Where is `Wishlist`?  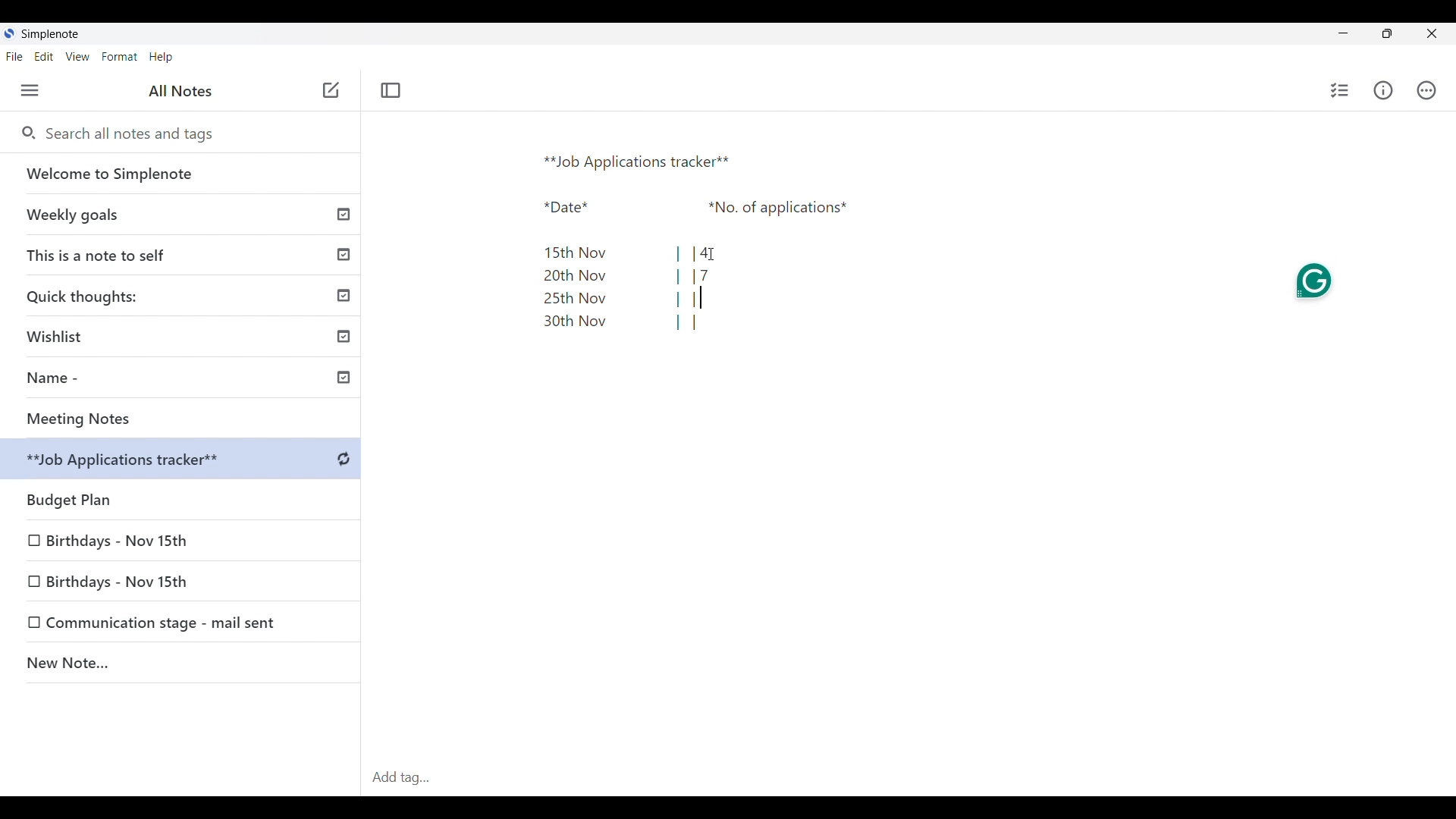
Wishlist is located at coordinates (186, 334).